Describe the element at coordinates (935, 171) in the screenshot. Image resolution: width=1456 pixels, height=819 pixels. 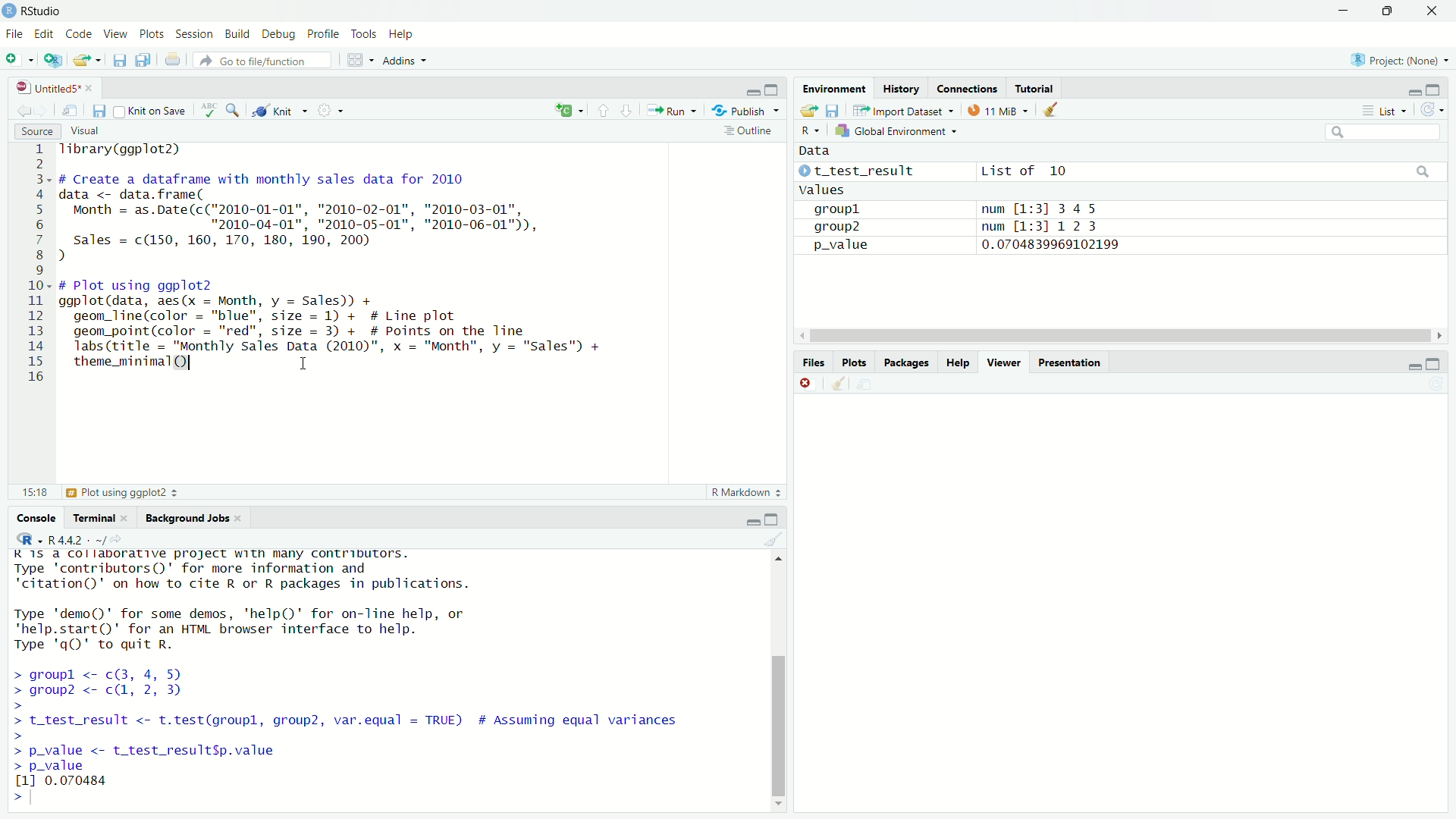
I see `© t_test_result List of 10` at that location.